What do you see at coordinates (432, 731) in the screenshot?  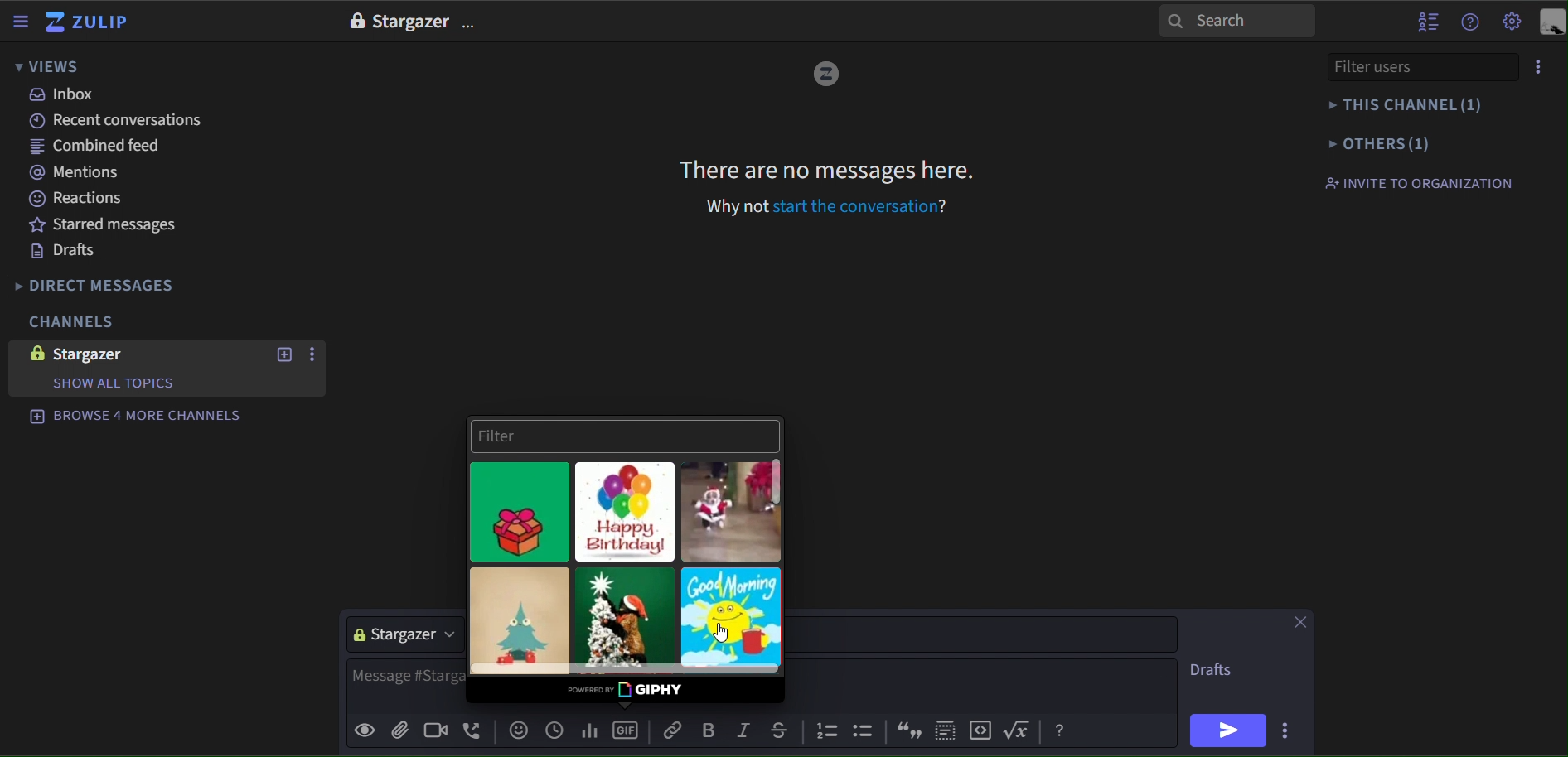 I see `add video call` at bounding box center [432, 731].